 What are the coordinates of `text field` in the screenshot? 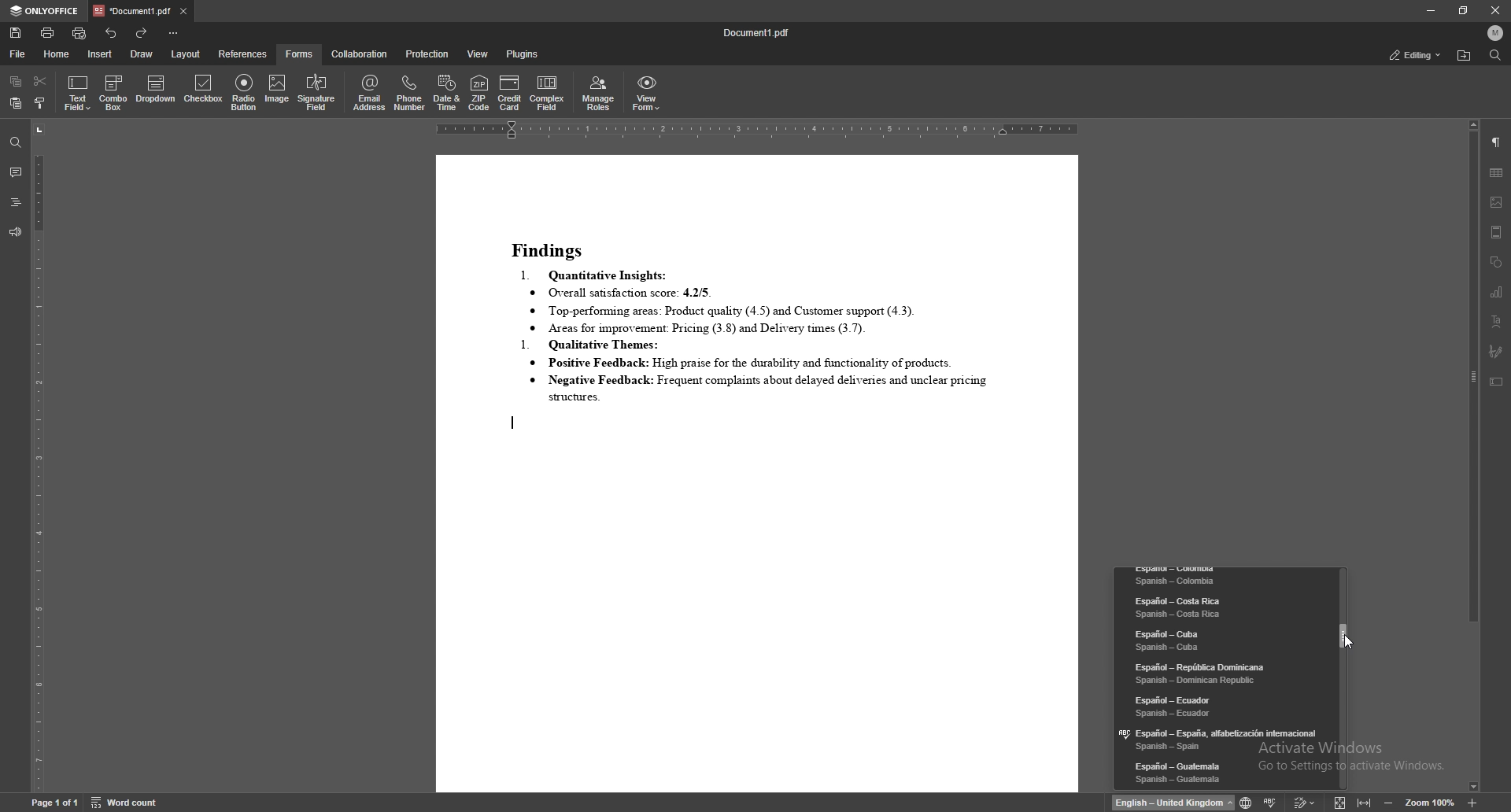 It's located at (78, 93).